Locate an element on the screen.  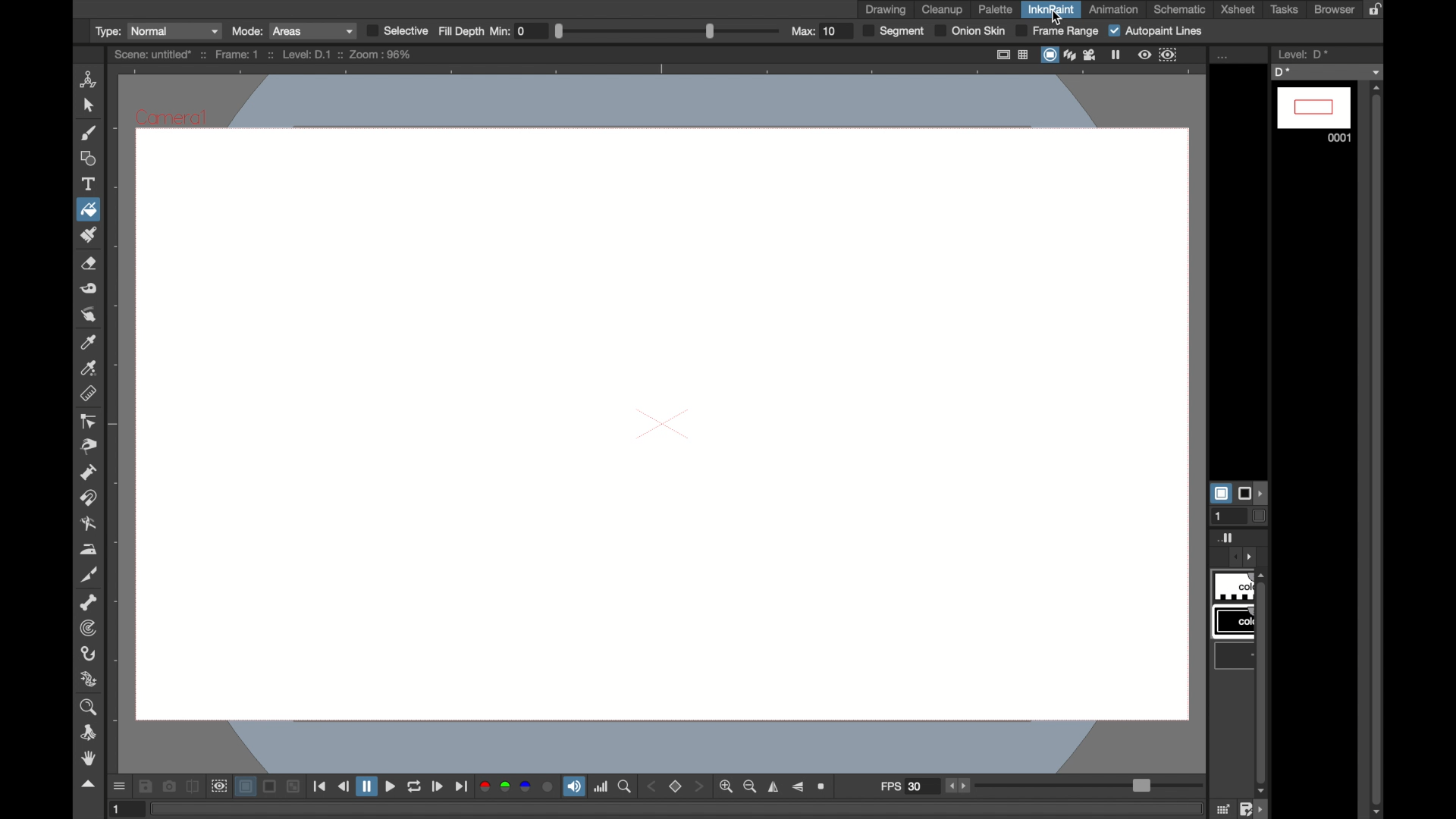
mode is located at coordinates (293, 31).